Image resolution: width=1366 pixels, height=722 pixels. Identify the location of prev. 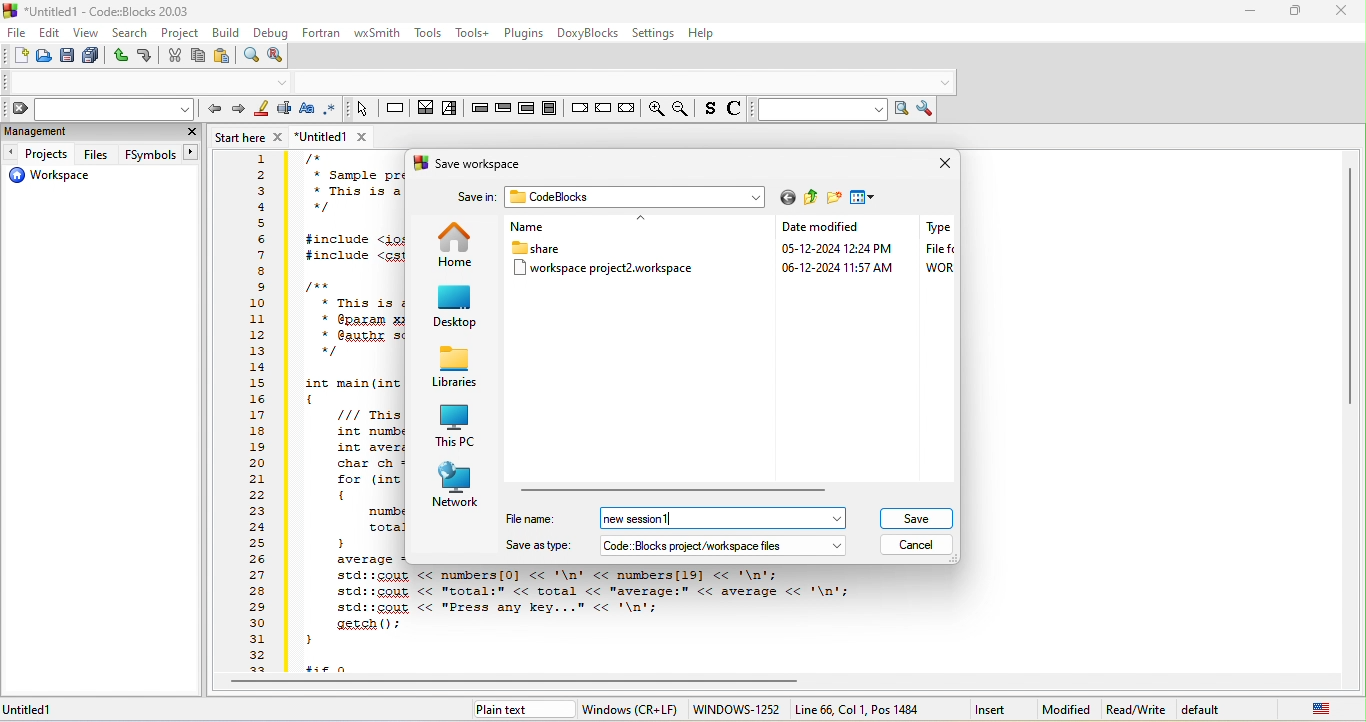
(213, 110).